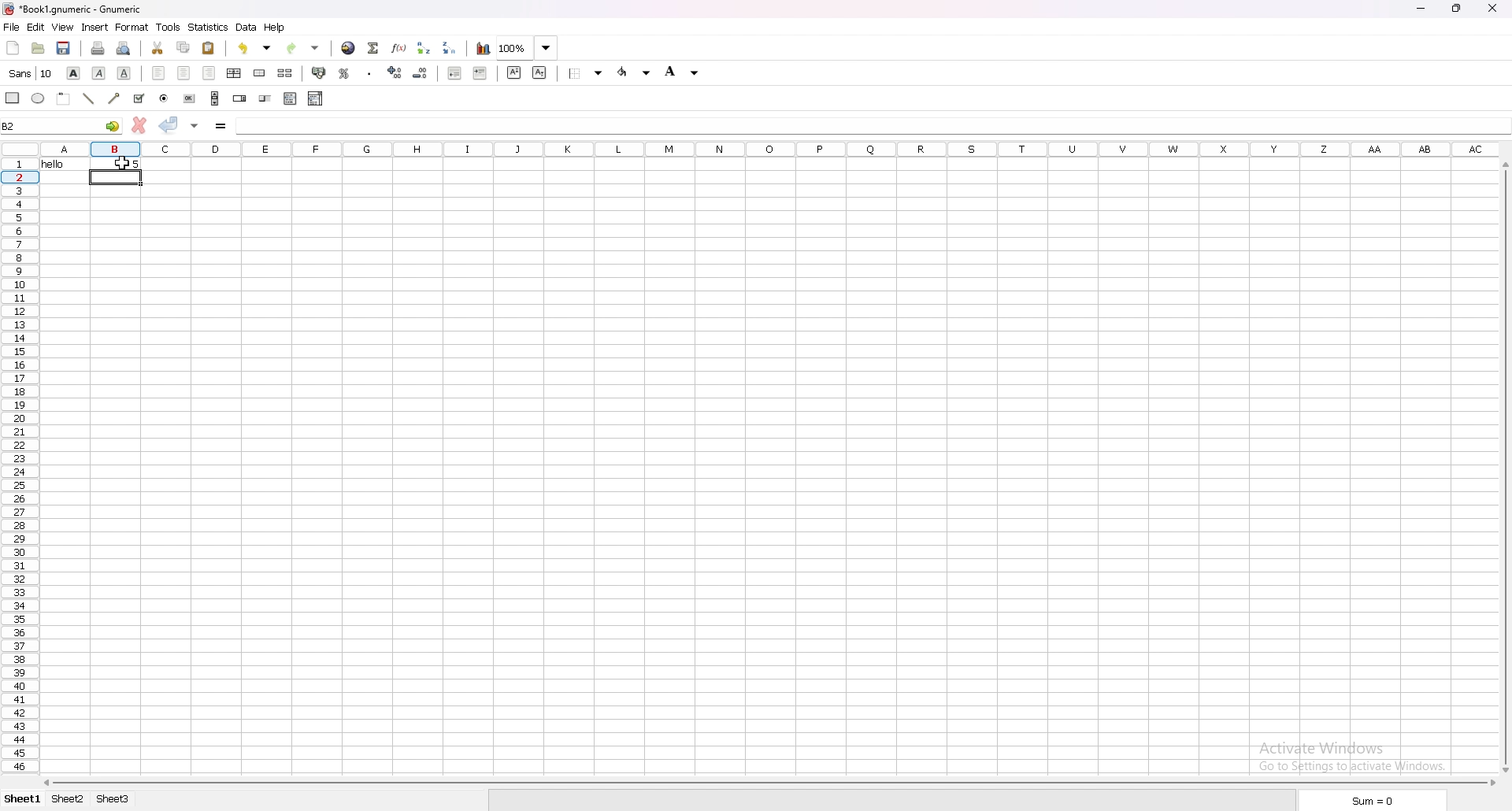 This screenshot has width=1512, height=811. Describe the element at coordinates (67, 800) in the screenshot. I see `tab` at that location.